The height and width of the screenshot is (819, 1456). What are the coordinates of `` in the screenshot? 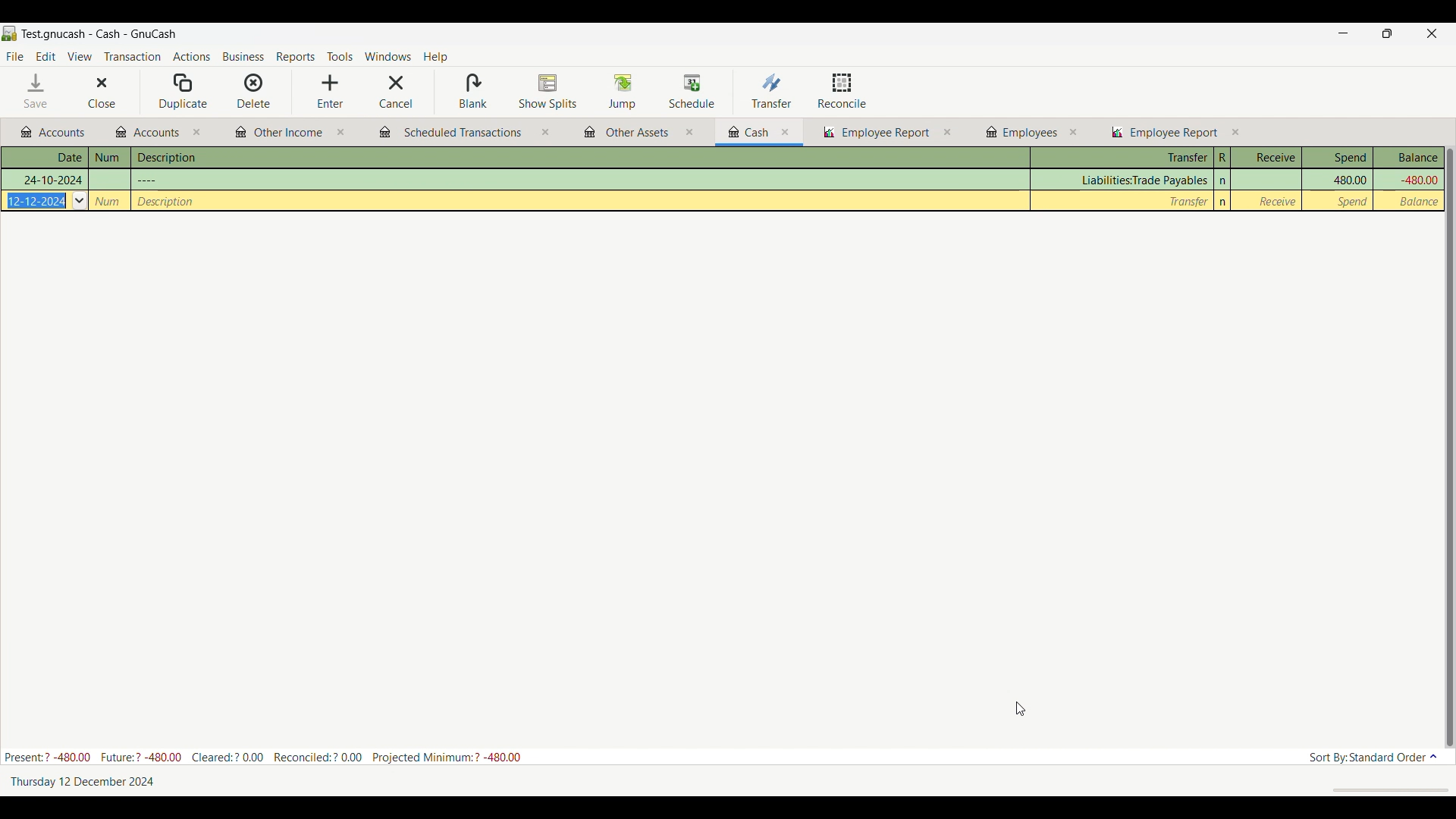 It's located at (167, 201).